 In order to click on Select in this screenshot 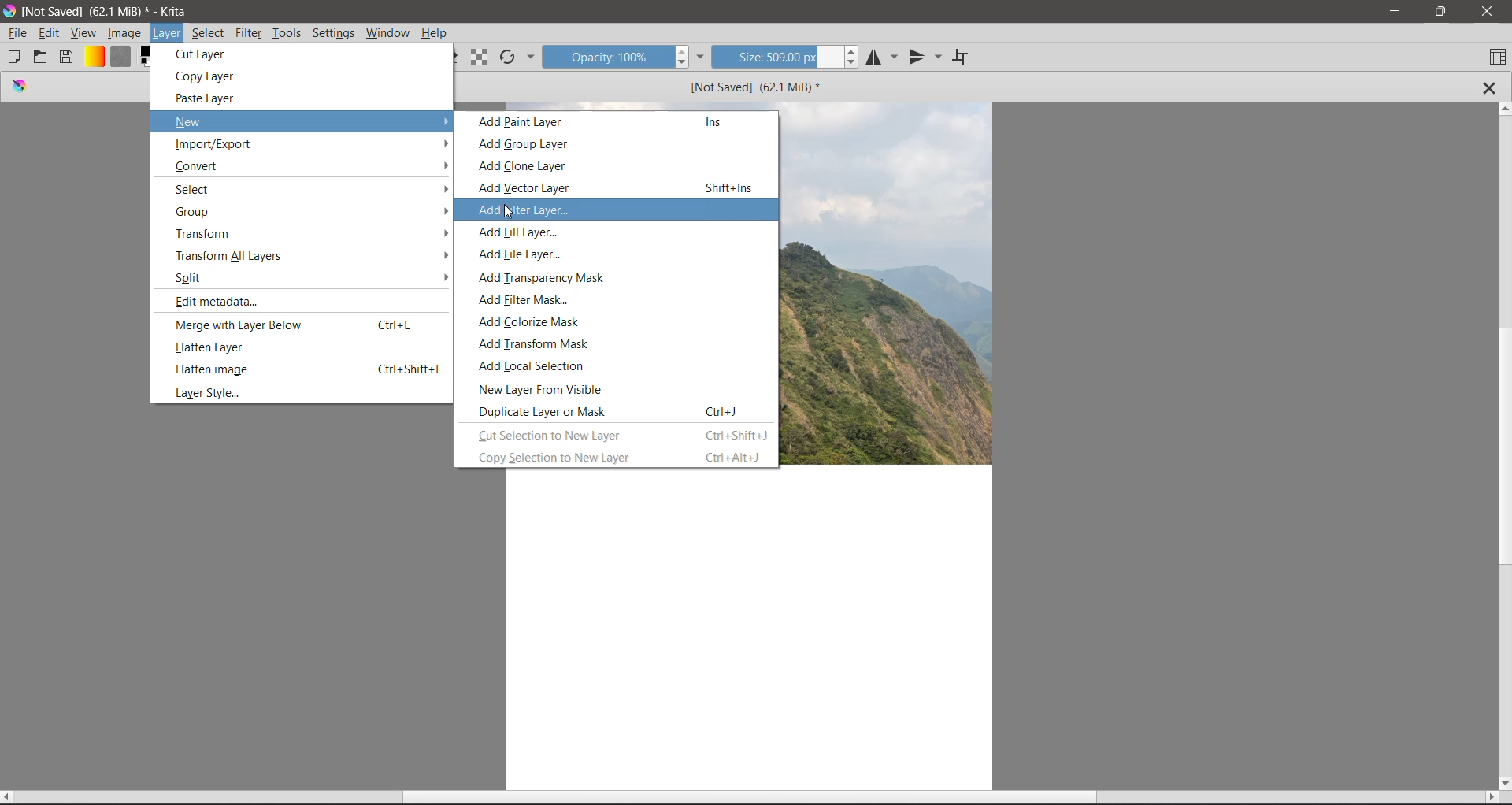, I will do `click(309, 189)`.